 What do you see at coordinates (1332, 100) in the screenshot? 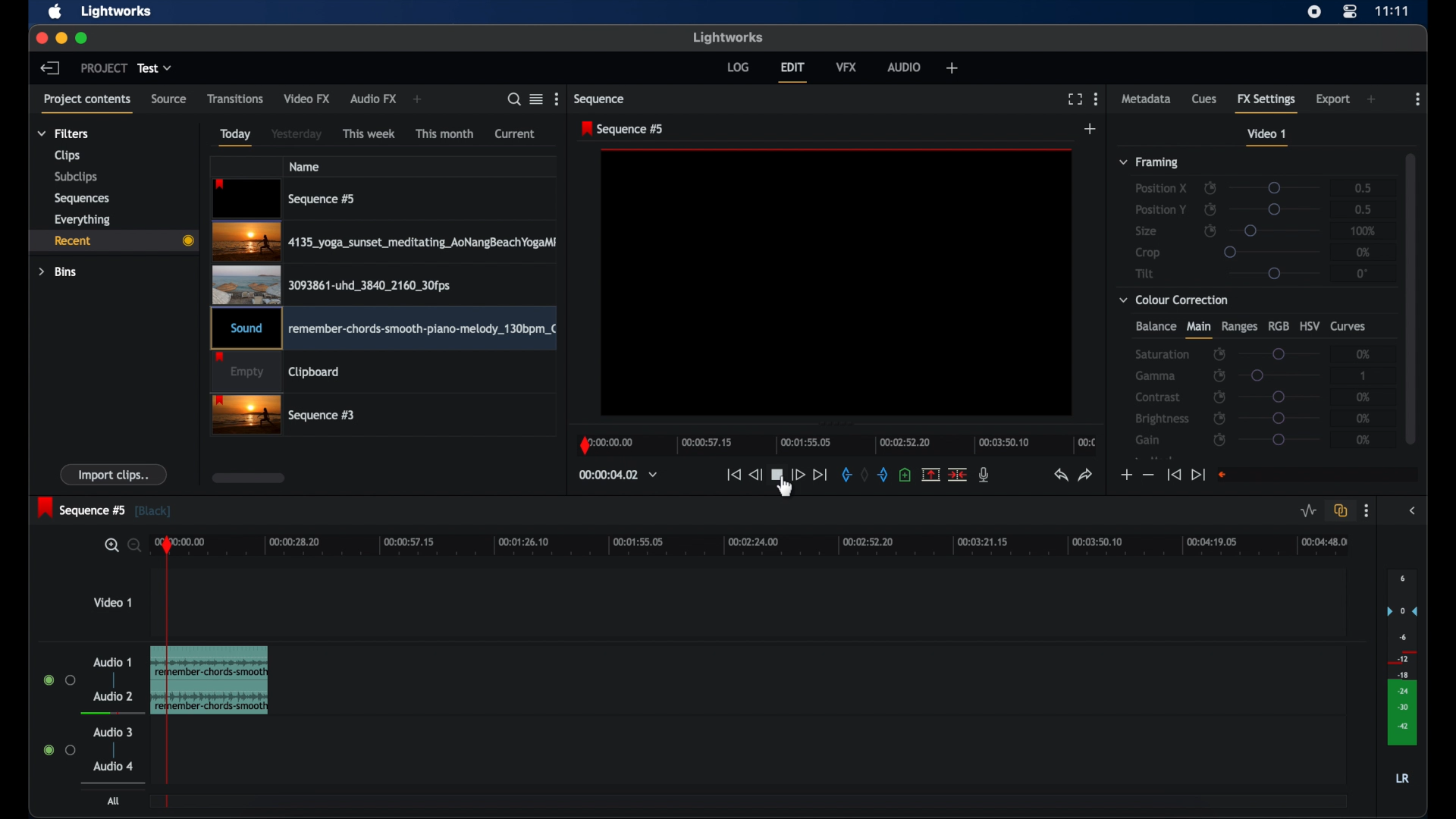
I see `export` at bounding box center [1332, 100].